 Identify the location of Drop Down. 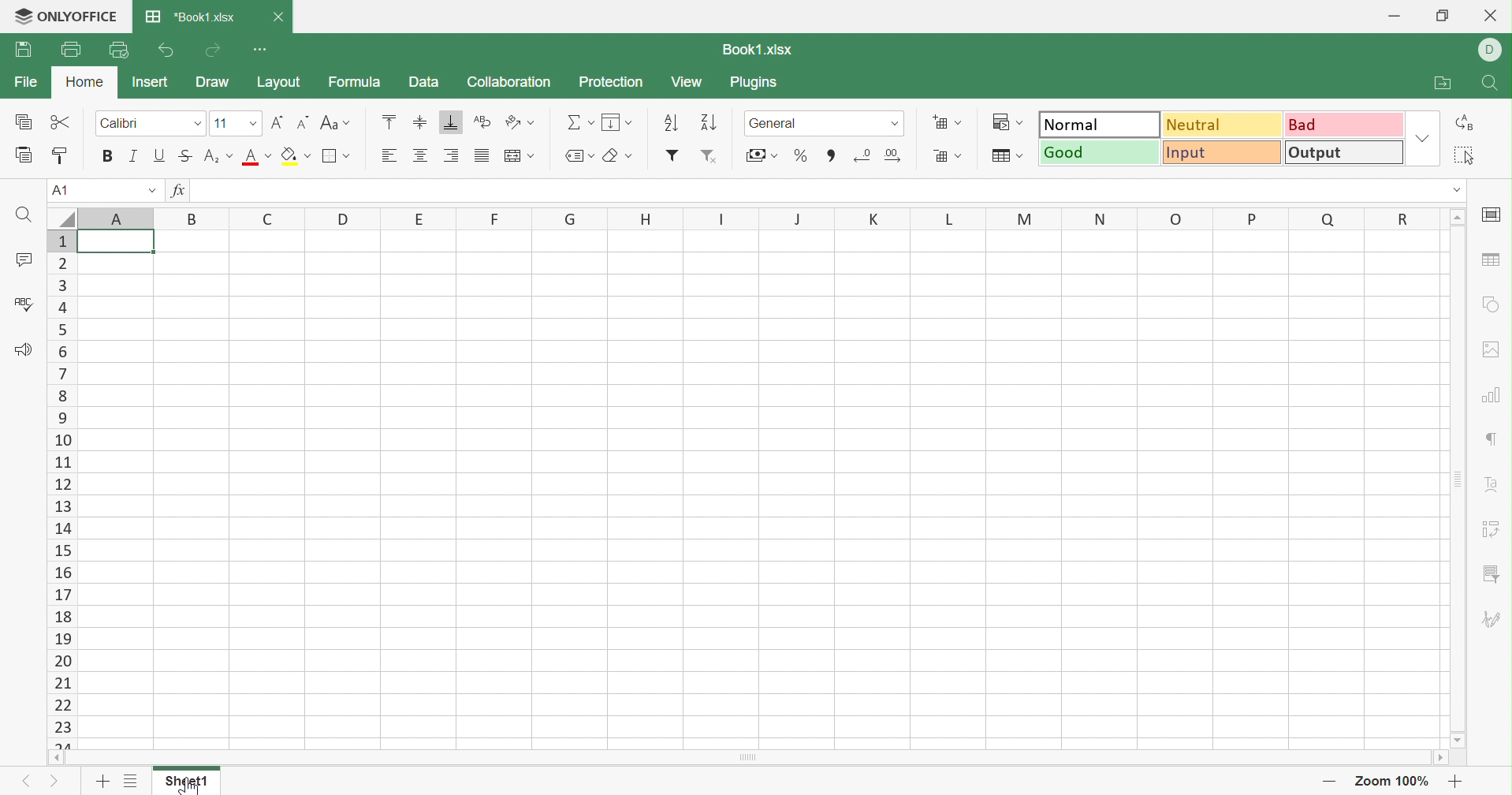
(1423, 140).